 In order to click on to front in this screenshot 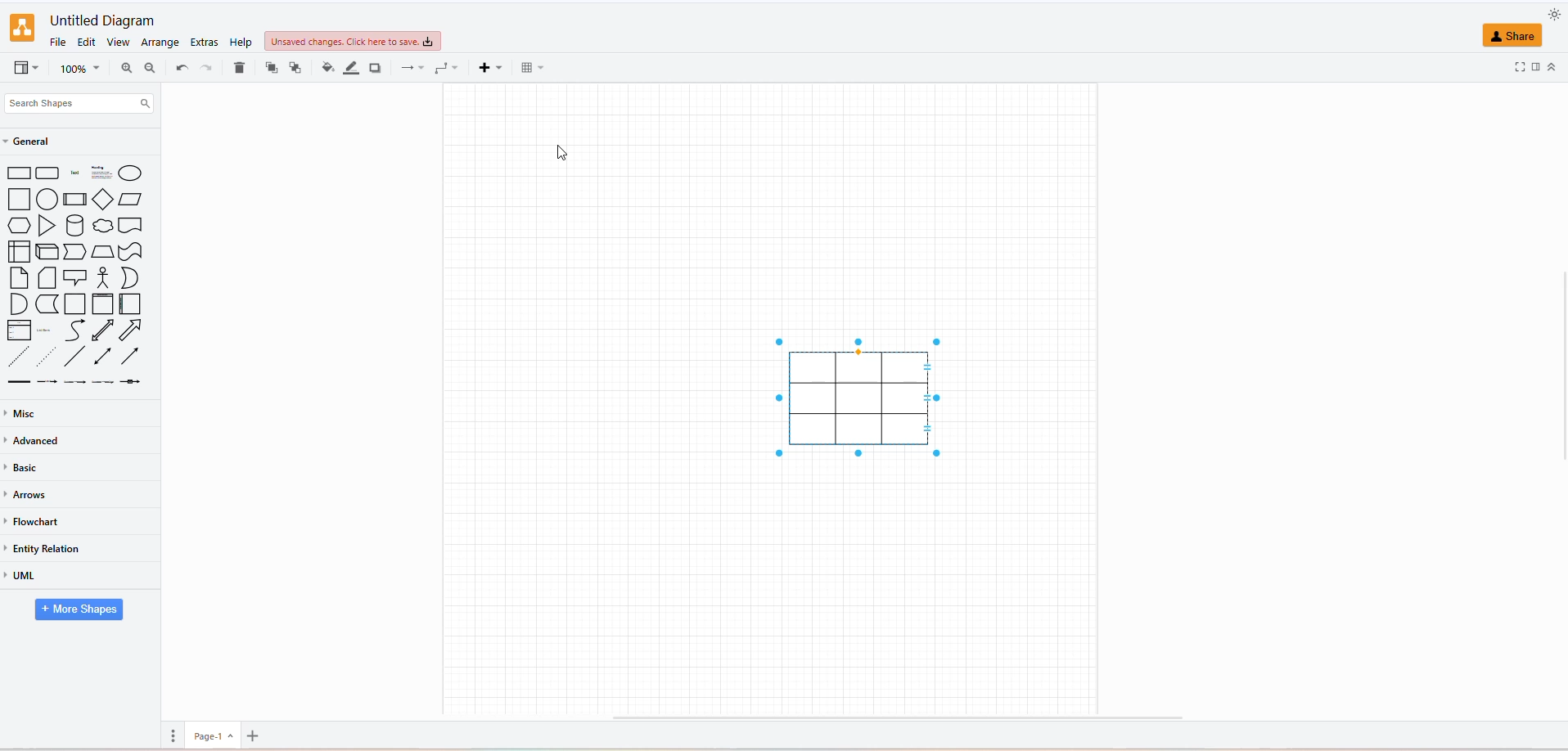, I will do `click(296, 68)`.